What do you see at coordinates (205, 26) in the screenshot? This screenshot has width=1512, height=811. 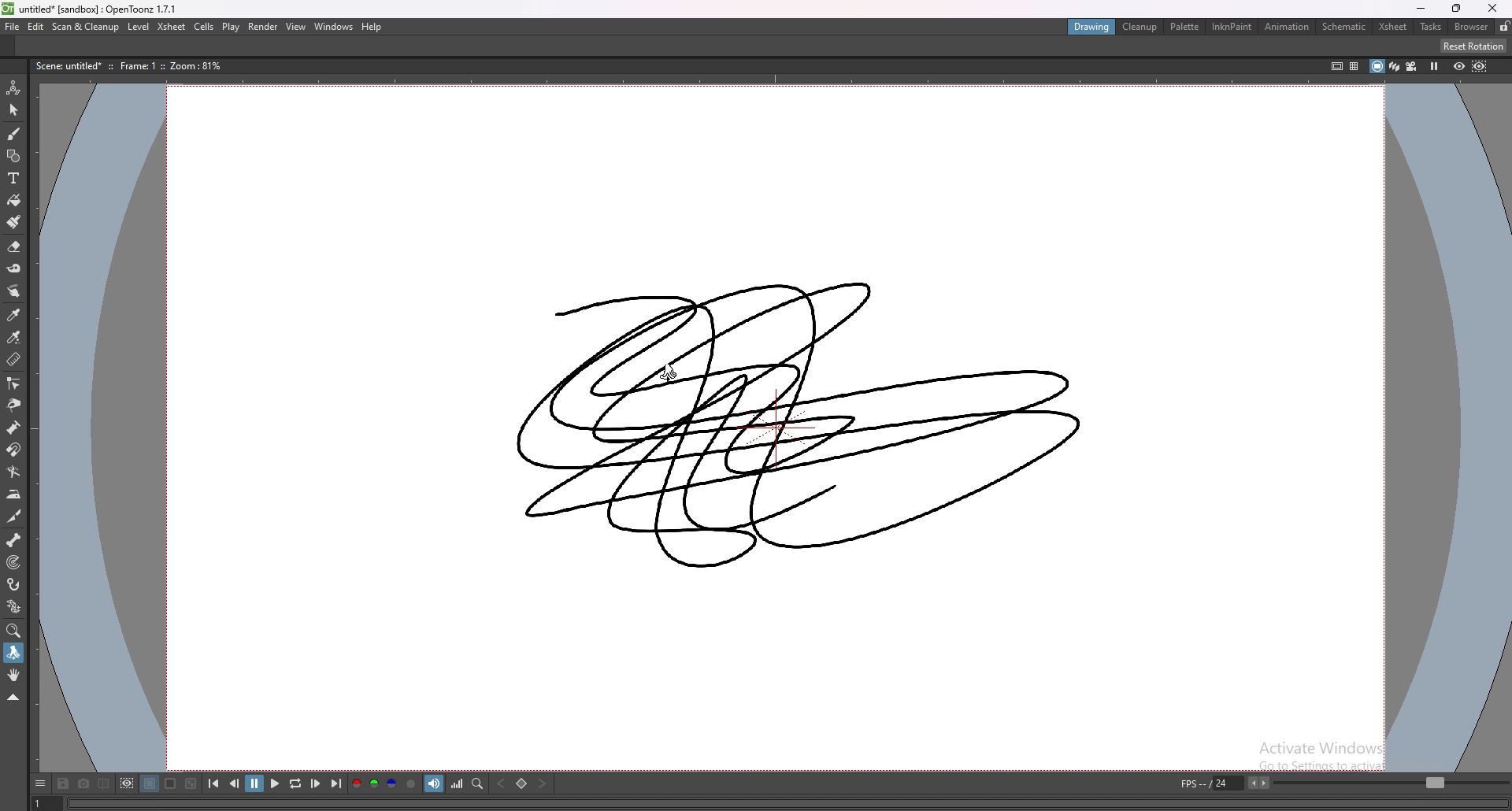 I see `cells` at bounding box center [205, 26].